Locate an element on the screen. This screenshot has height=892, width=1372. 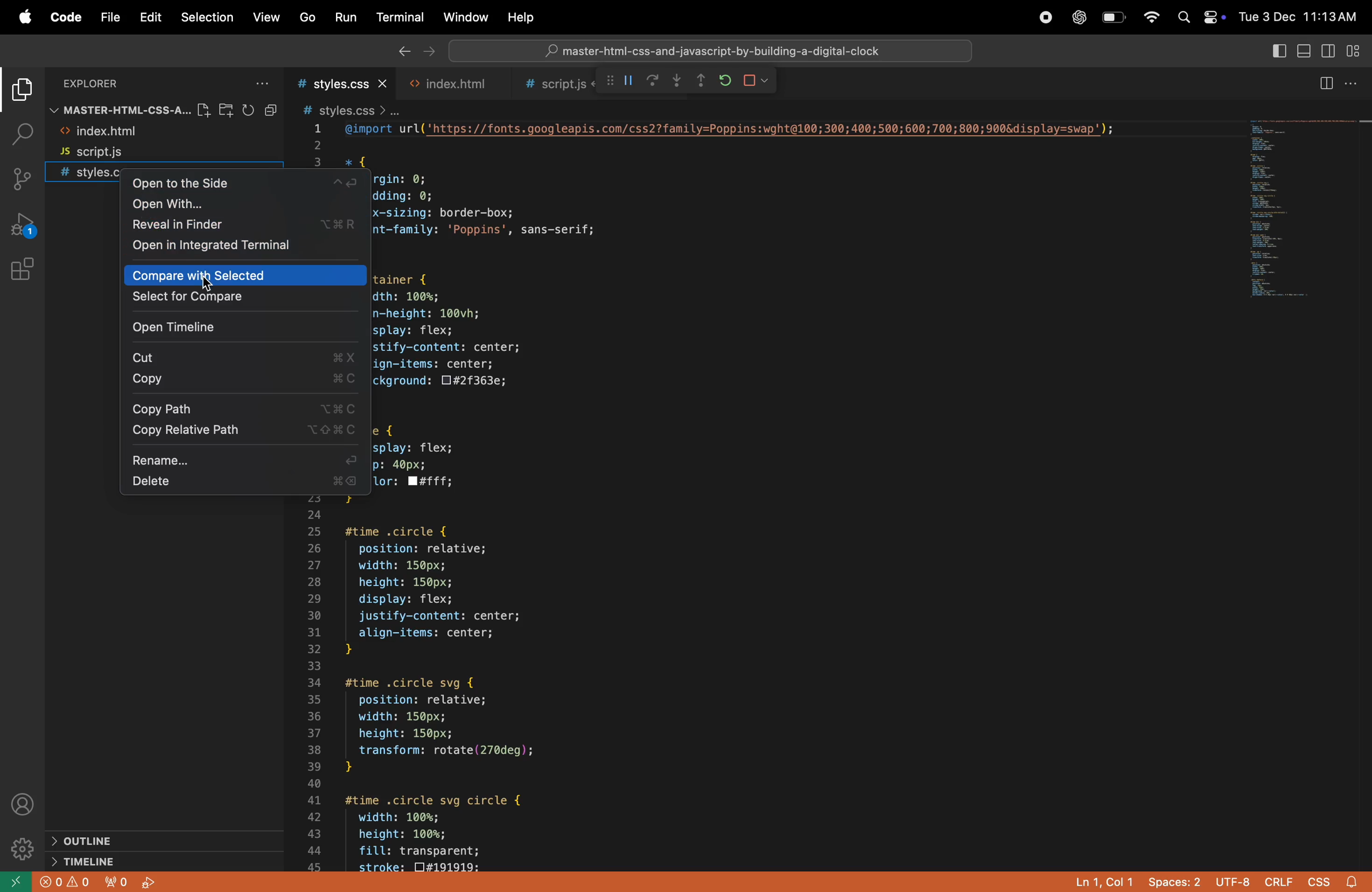
preview window is located at coordinates (1308, 209).